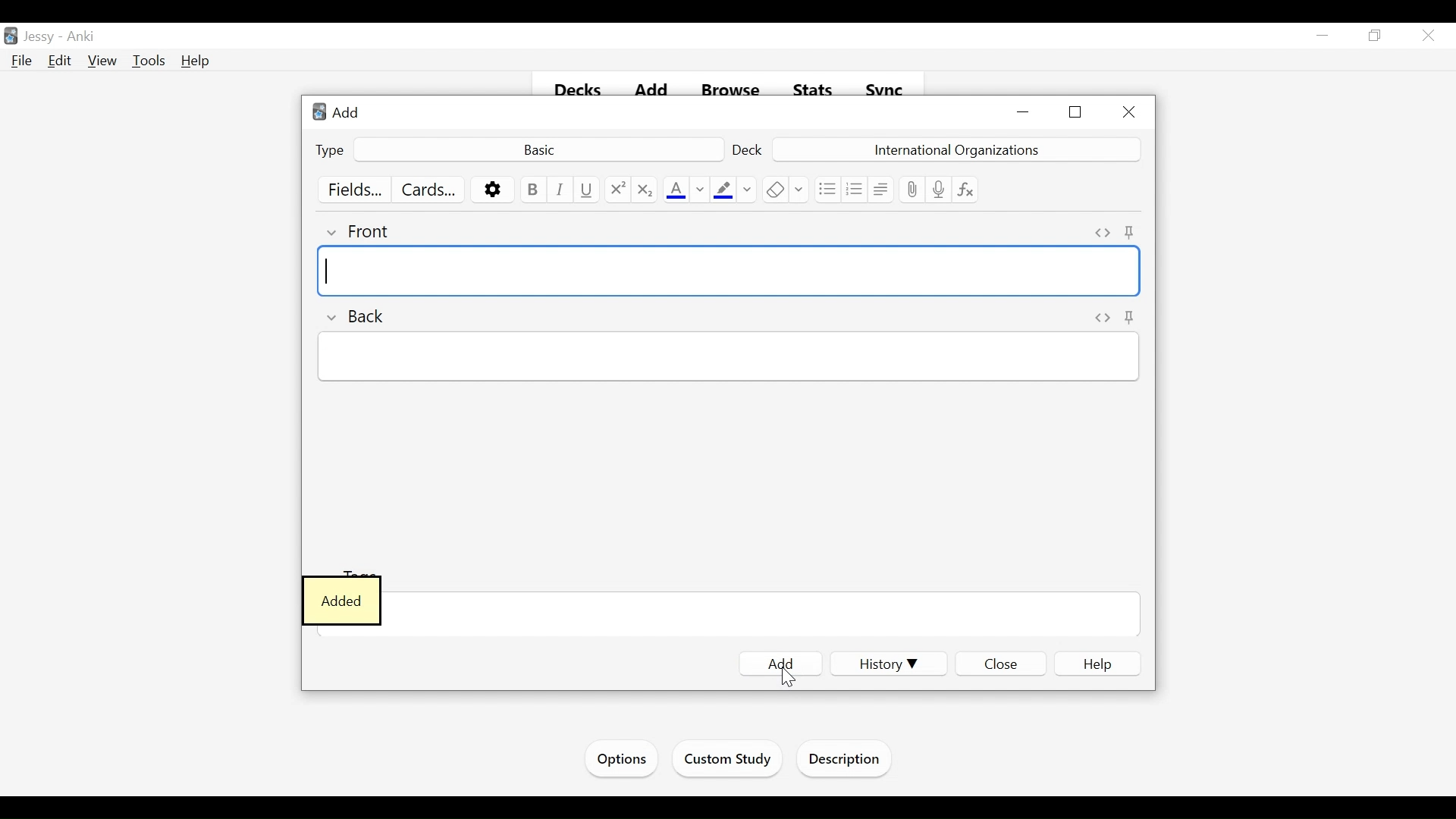 This screenshot has width=1456, height=819. What do you see at coordinates (955, 149) in the screenshot?
I see `International Organisations` at bounding box center [955, 149].